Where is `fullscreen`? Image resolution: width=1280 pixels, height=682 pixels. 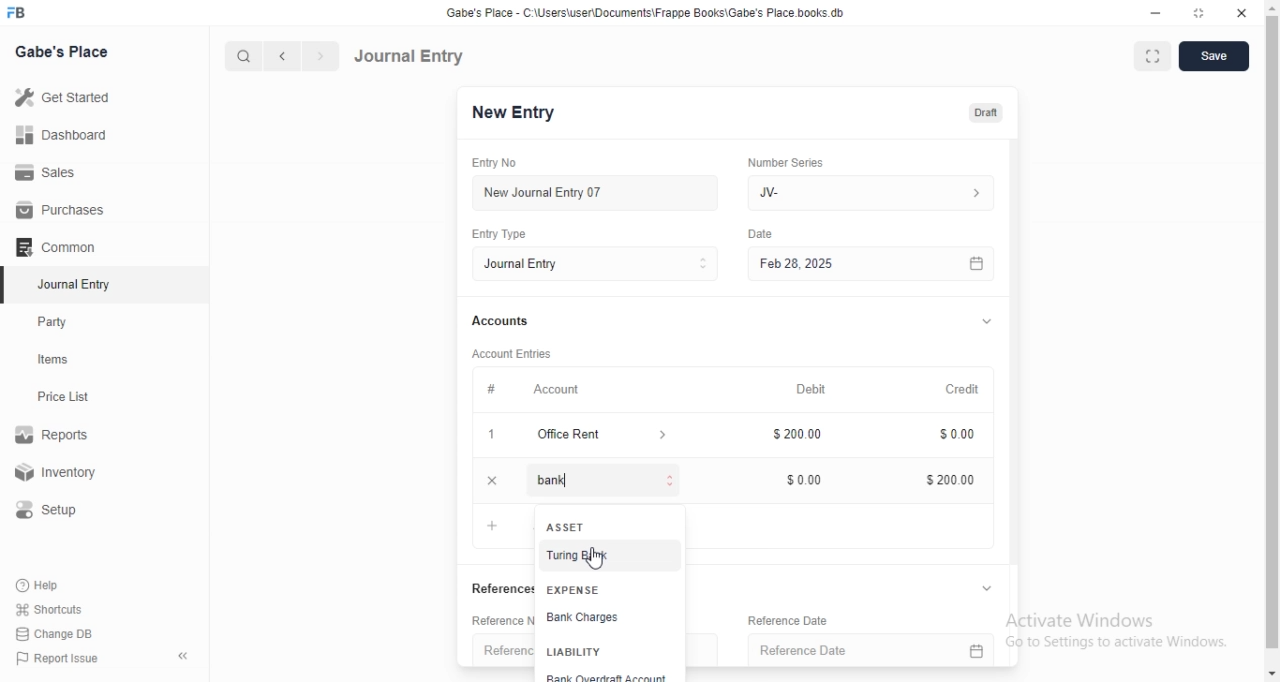 fullscreen is located at coordinates (1157, 57).